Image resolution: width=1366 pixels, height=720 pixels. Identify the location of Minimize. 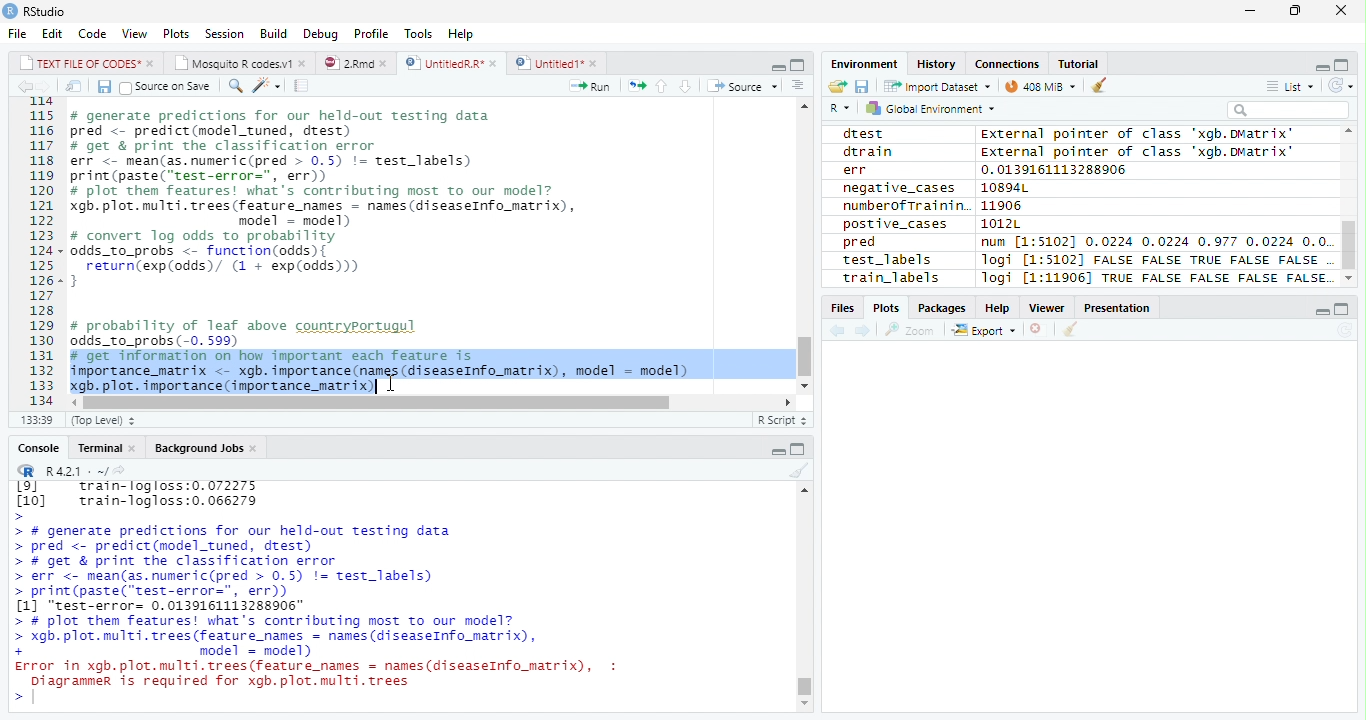
(1322, 309).